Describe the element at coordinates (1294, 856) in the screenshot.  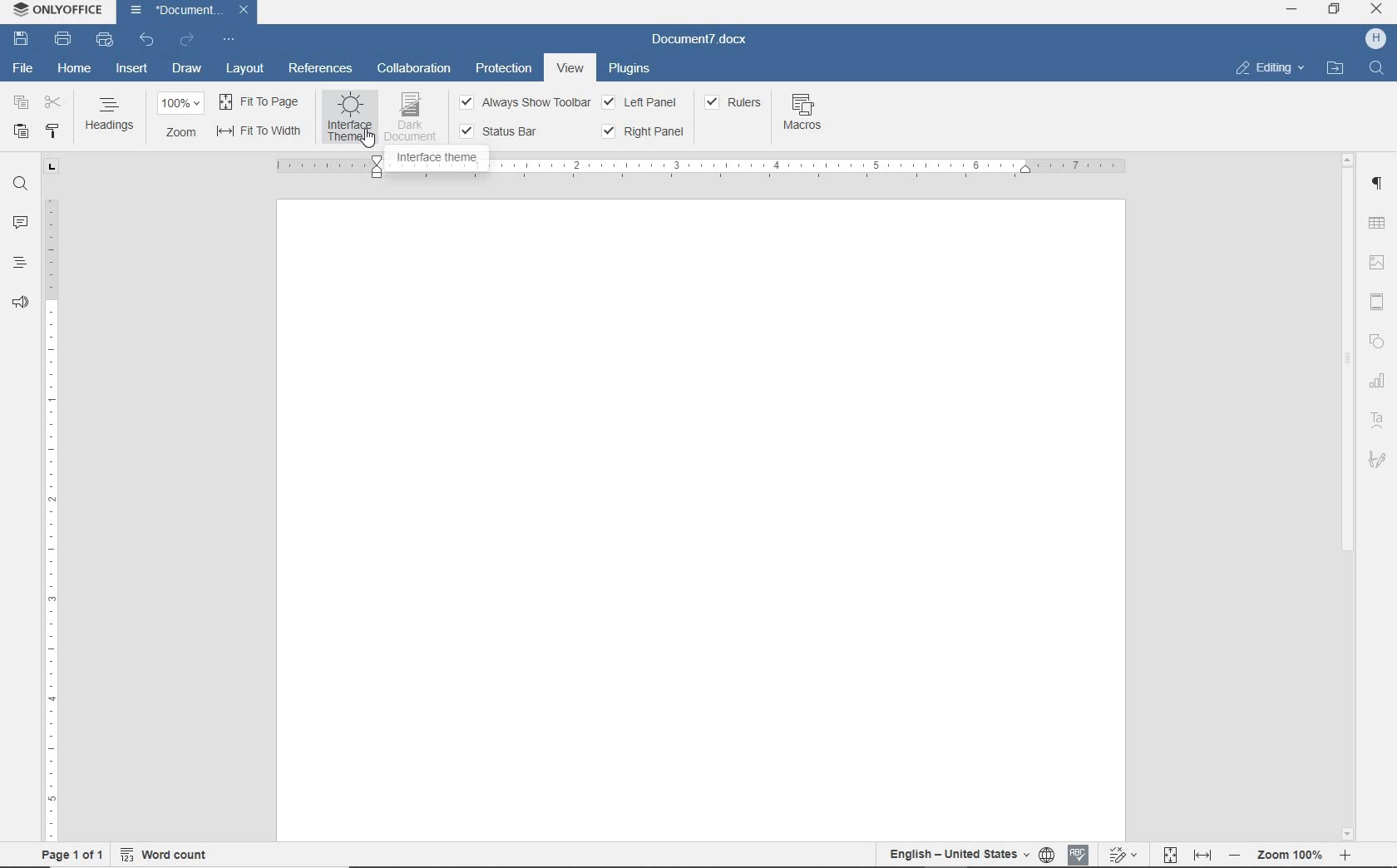
I see `ZOOM OUT OR ZOOM IN` at that location.